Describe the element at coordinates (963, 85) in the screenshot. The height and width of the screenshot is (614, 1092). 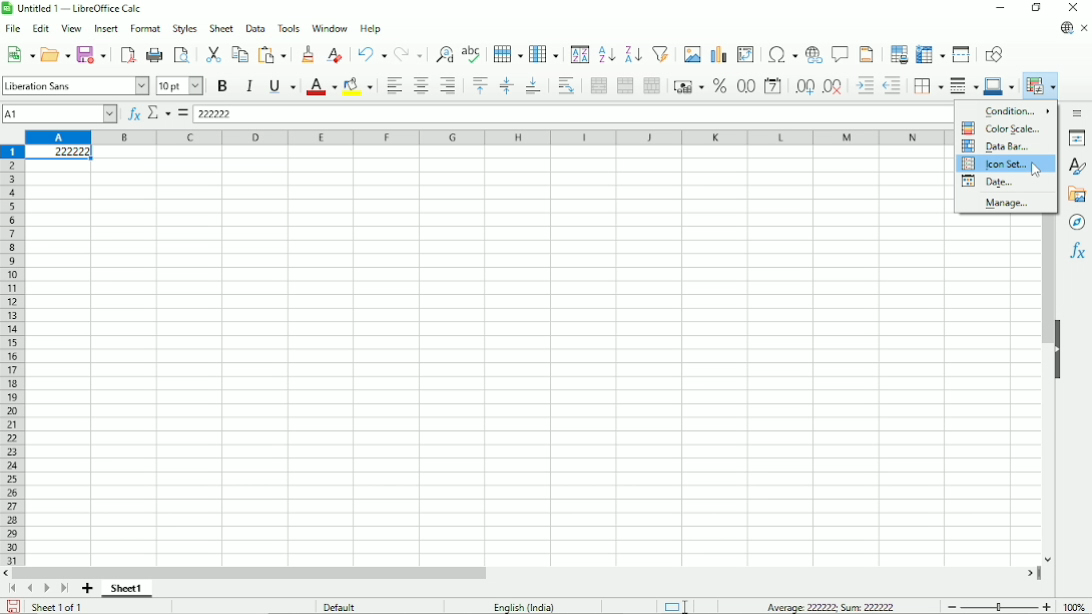
I see `Border styles` at that location.